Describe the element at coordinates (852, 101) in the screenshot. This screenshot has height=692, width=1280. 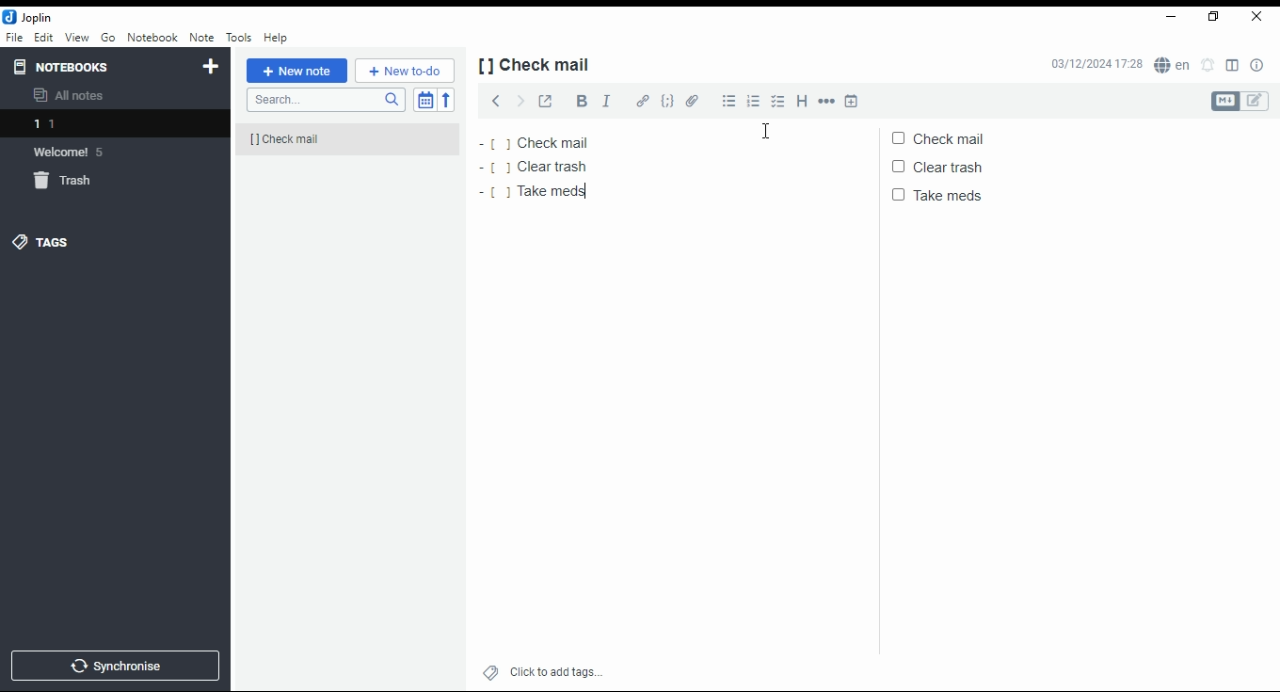
I see `insert time` at that location.